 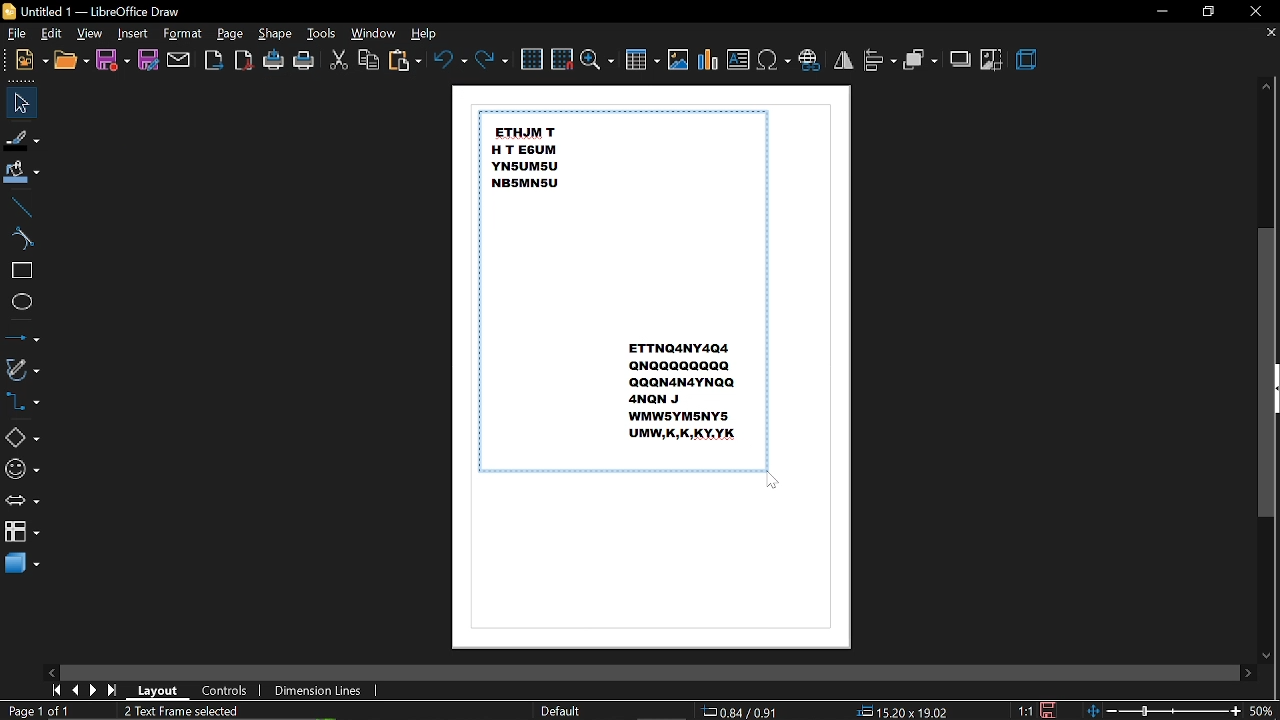 What do you see at coordinates (1054, 710) in the screenshot?
I see `Save` at bounding box center [1054, 710].